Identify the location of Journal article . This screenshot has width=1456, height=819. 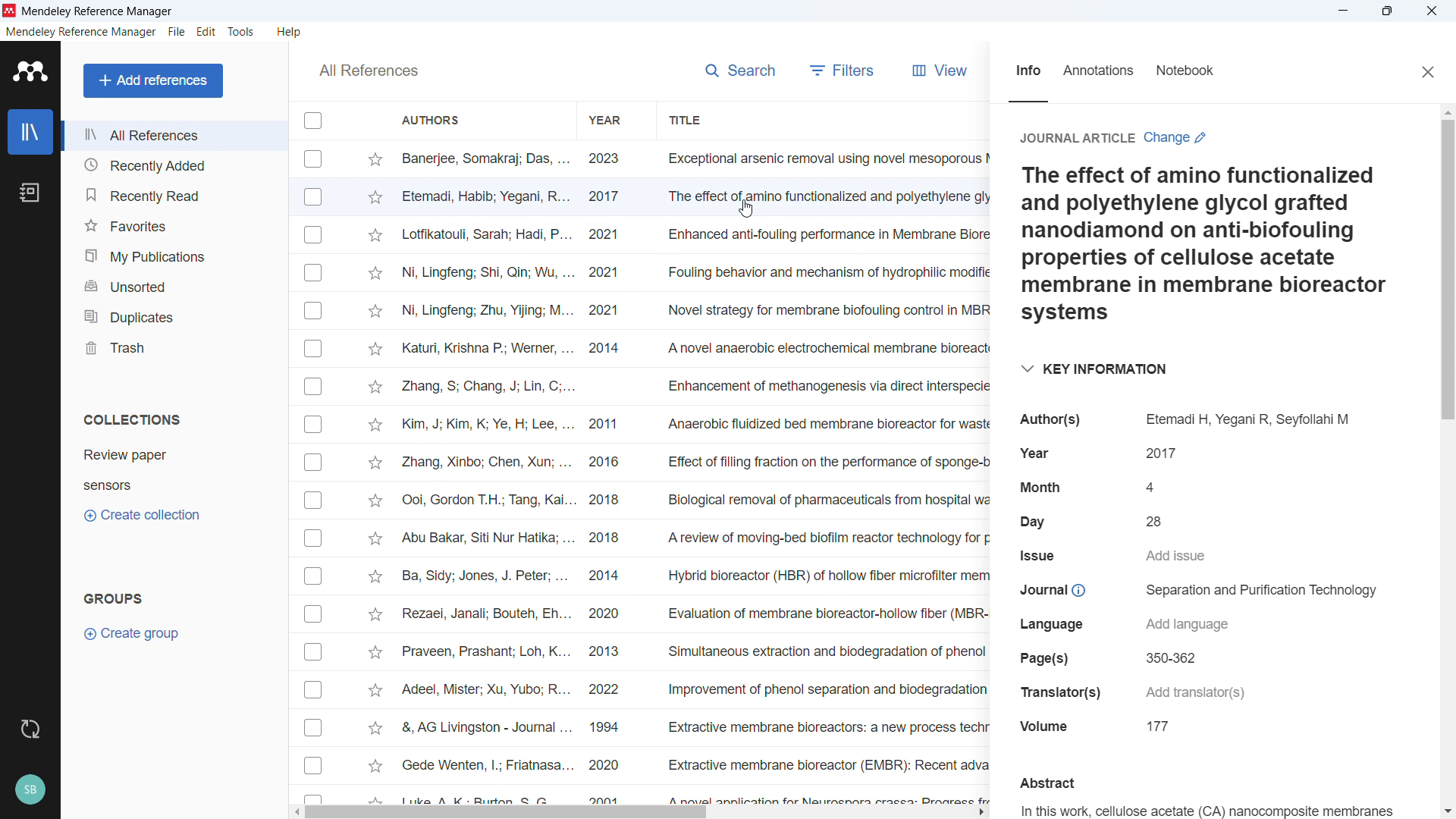
(1076, 137).